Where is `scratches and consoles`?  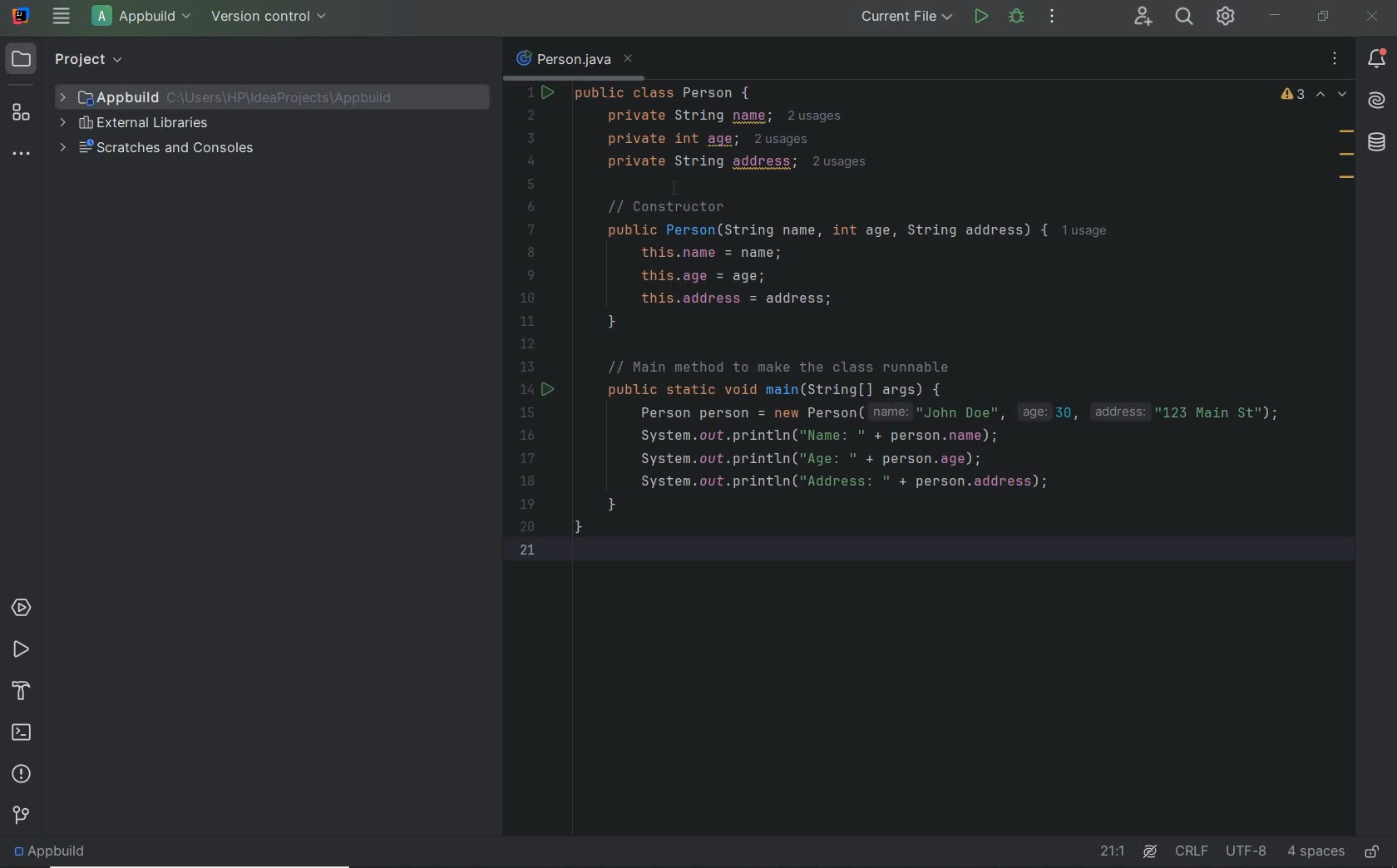 scratches and consoles is located at coordinates (160, 147).